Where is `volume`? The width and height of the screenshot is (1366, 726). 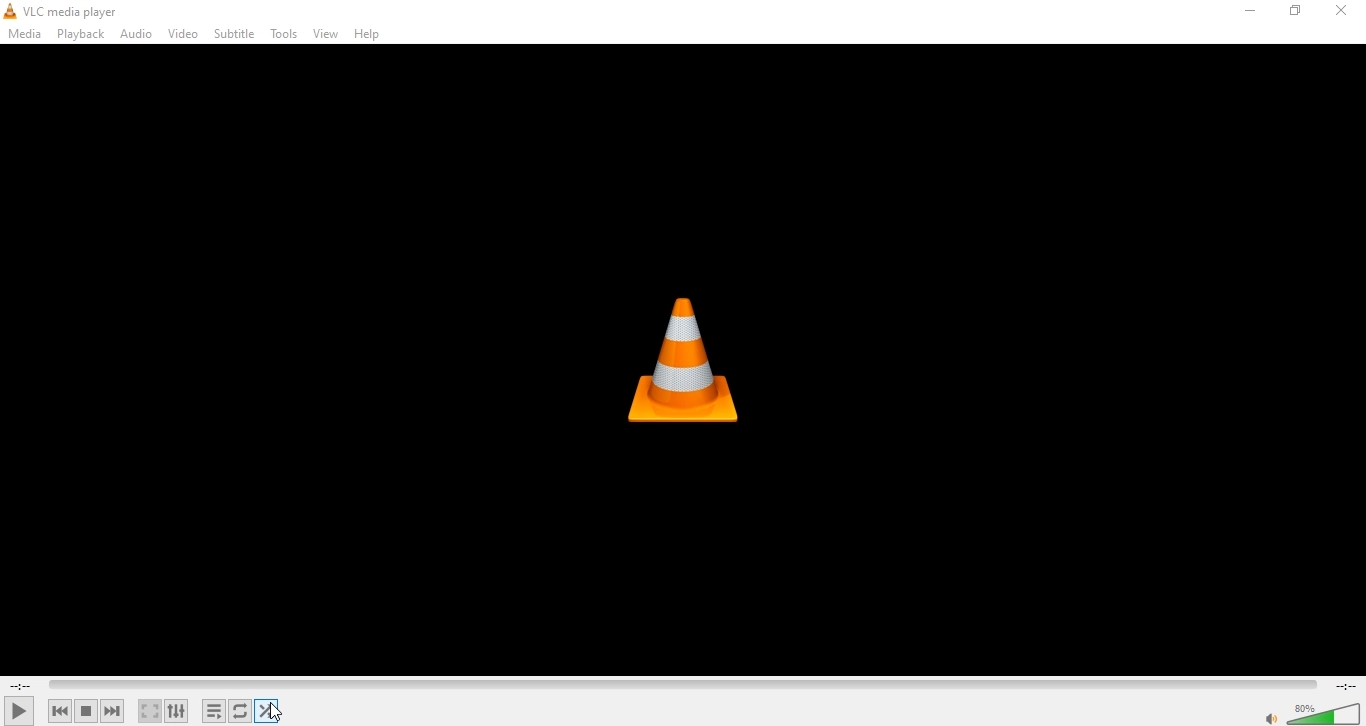 volume is located at coordinates (1268, 717).